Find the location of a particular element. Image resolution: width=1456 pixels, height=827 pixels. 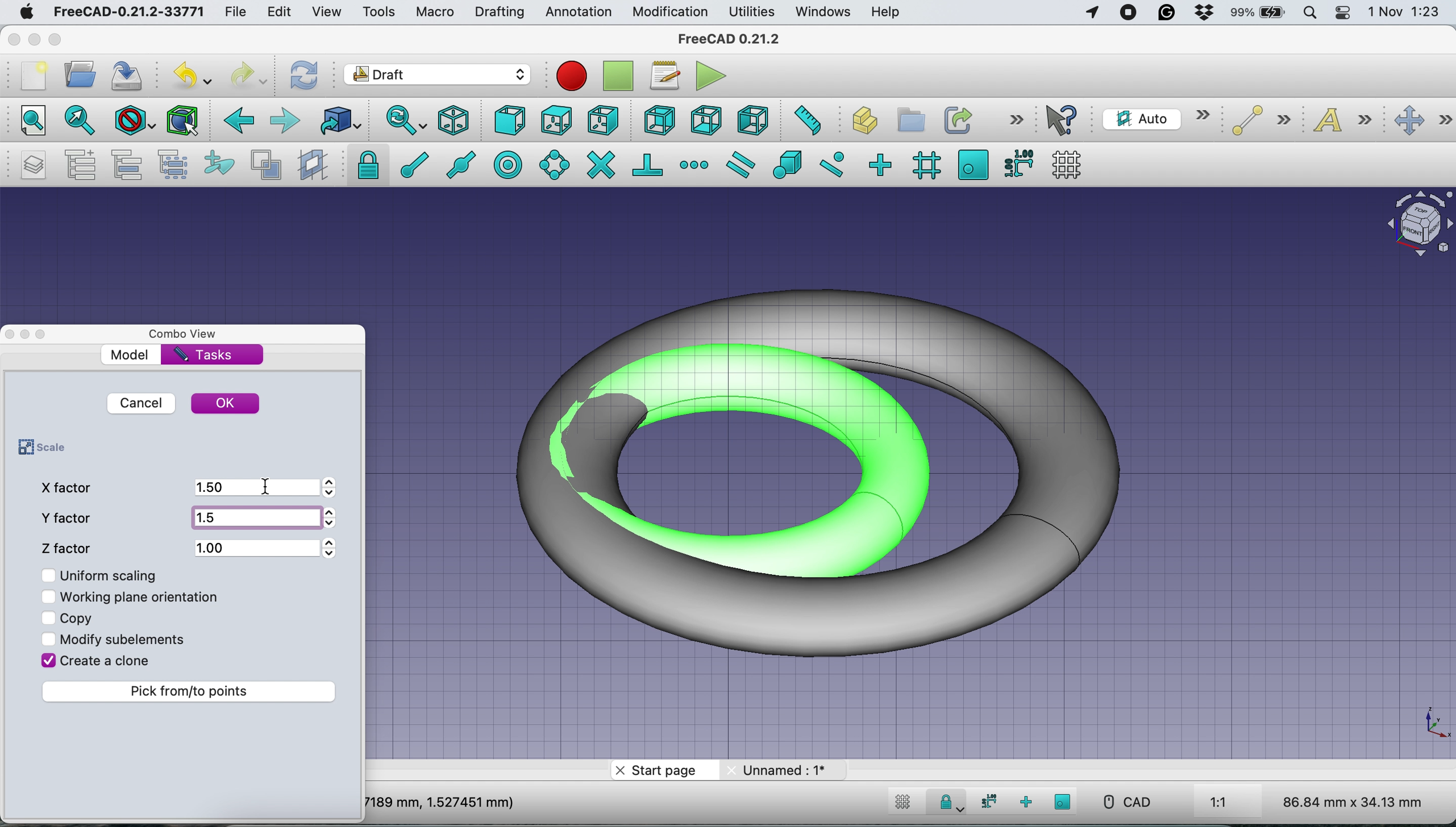

Checkbox is located at coordinates (49, 617).